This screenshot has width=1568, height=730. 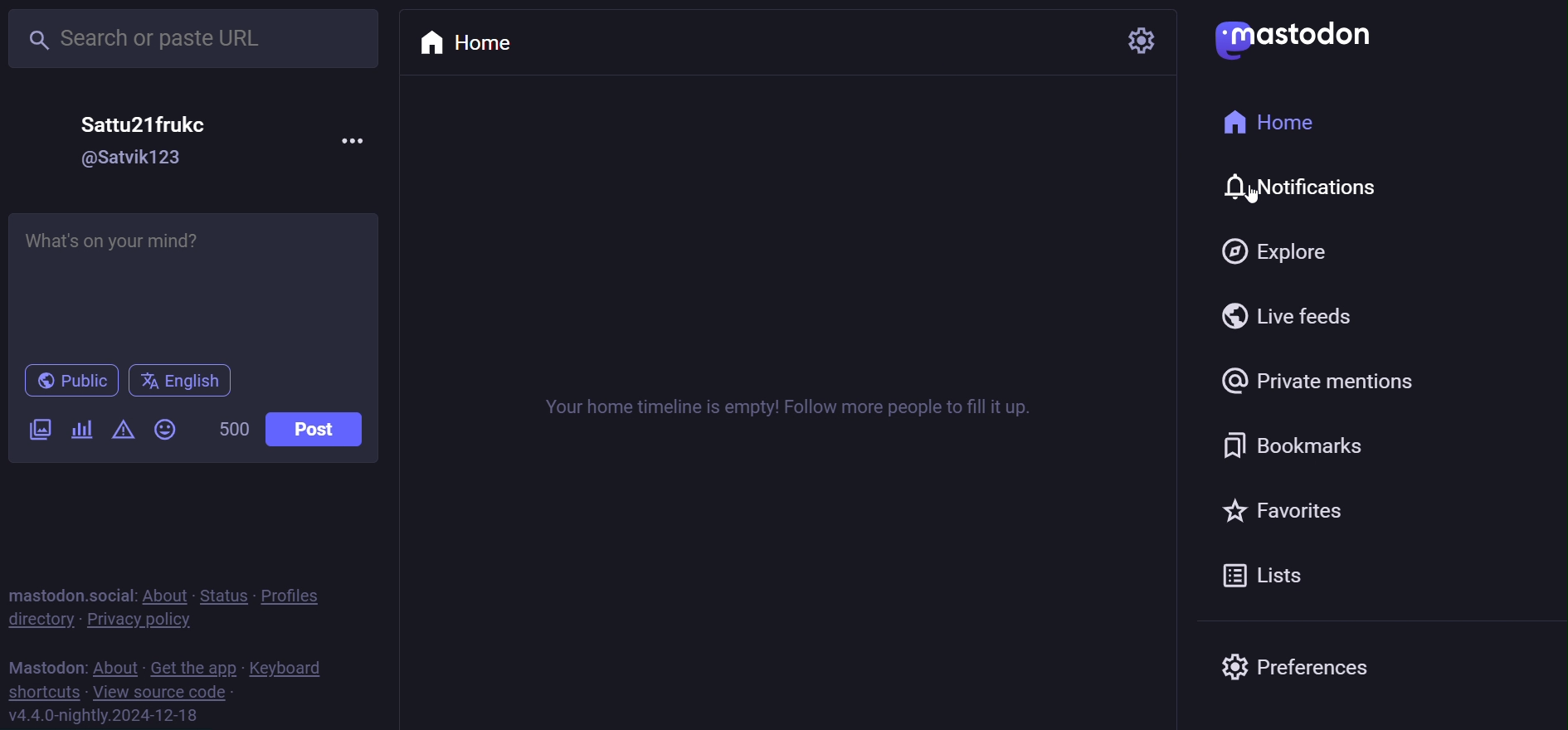 I want to click on Your home timeline is empty! Follow more people to fill it up., so click(x=793, y=408).